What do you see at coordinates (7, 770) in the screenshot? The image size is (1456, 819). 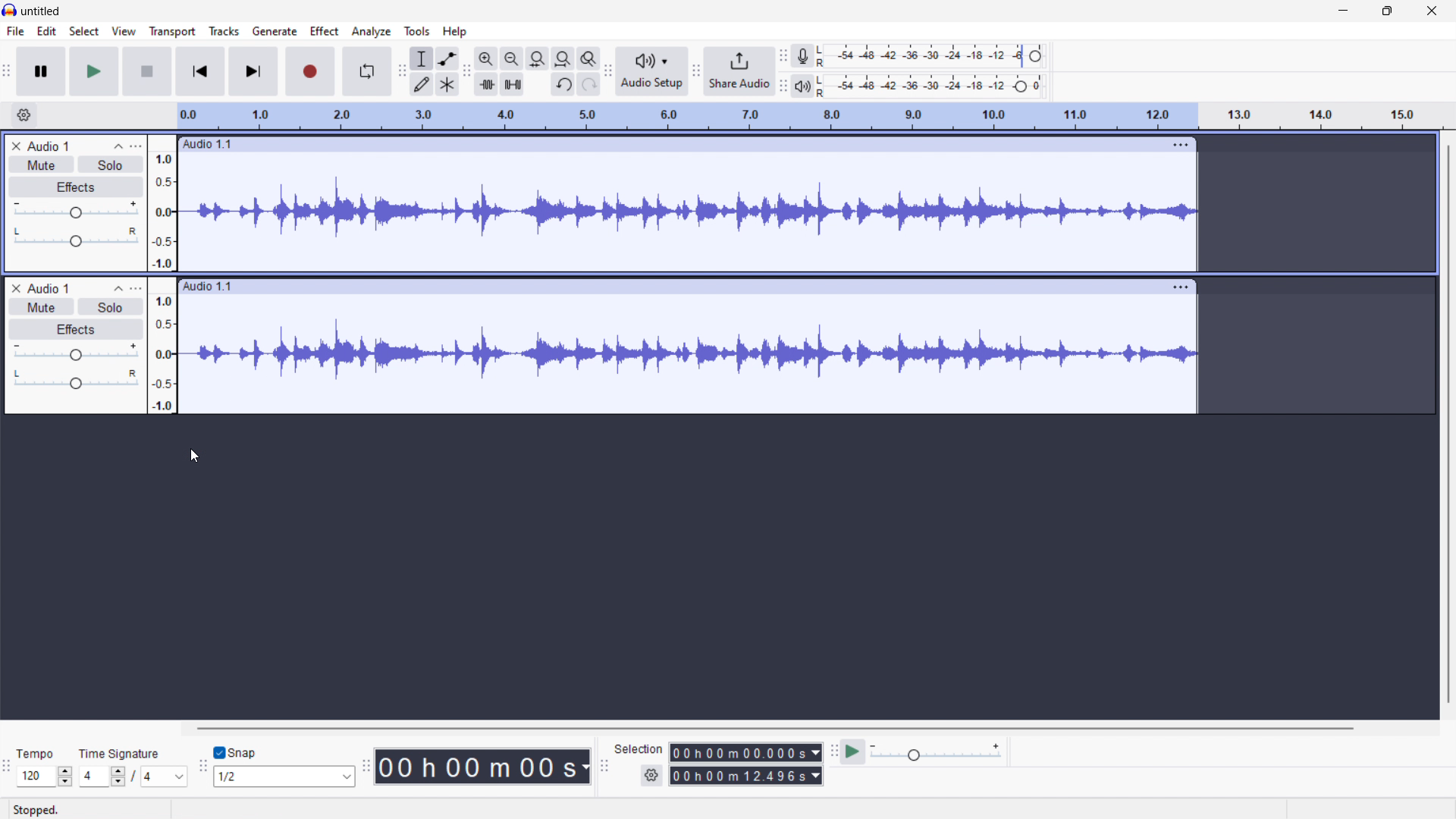 I see `time signature toolbar` at bounding box center [7, 770].